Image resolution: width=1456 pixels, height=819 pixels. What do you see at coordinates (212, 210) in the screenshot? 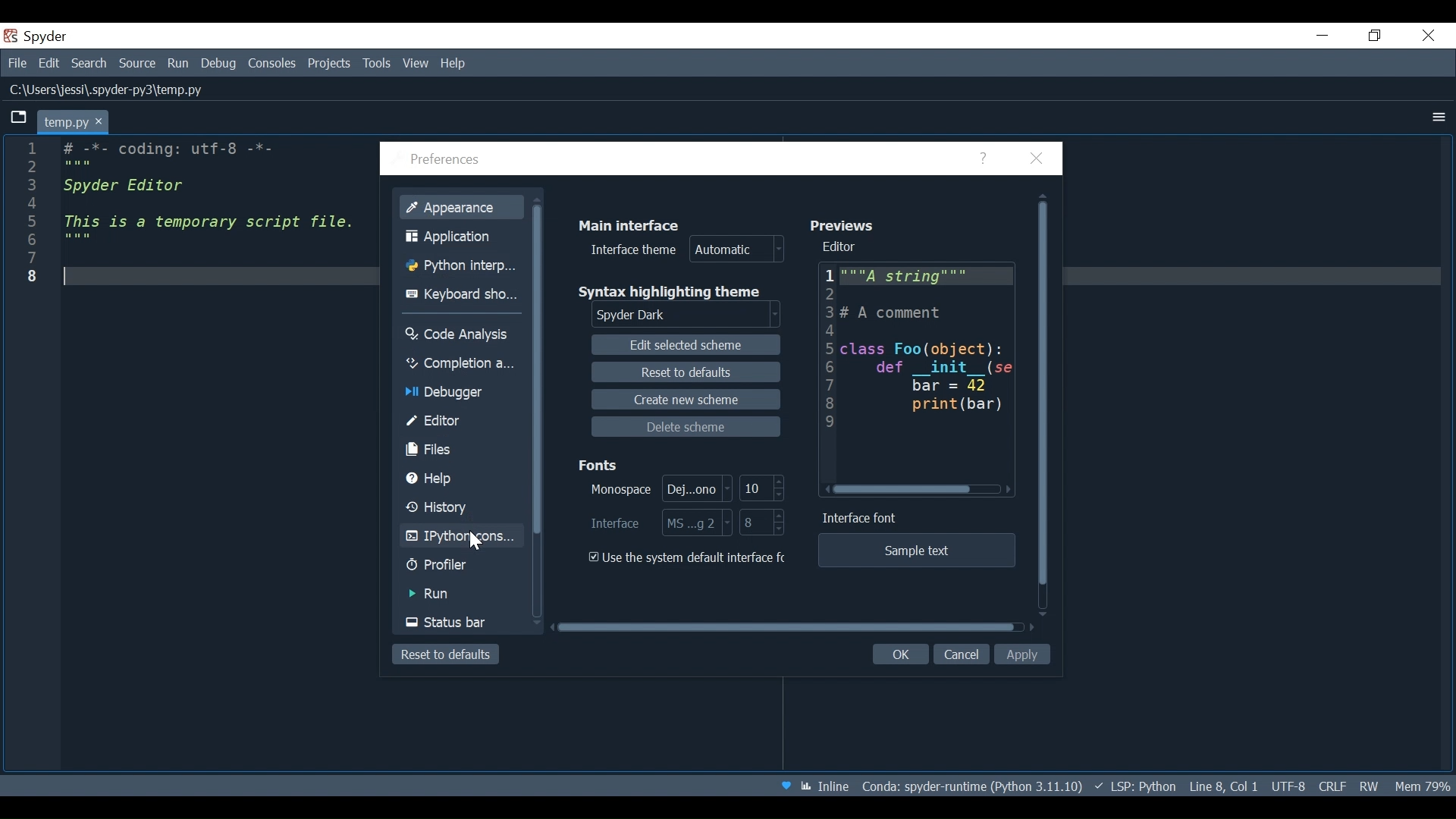
I see `` at bounding box center [212, 210].